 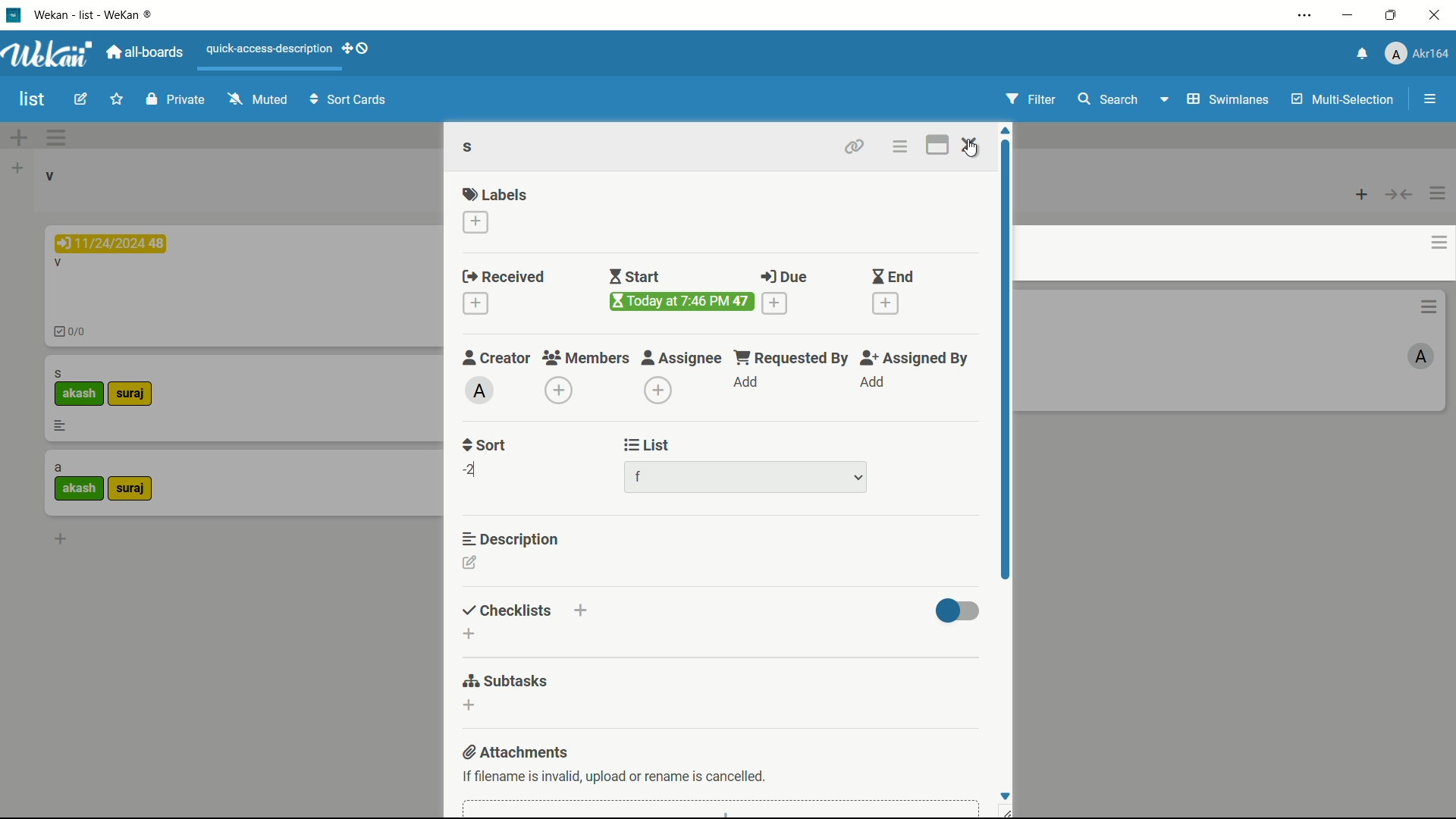 I want to click on -2, so click(x=472, y=469).